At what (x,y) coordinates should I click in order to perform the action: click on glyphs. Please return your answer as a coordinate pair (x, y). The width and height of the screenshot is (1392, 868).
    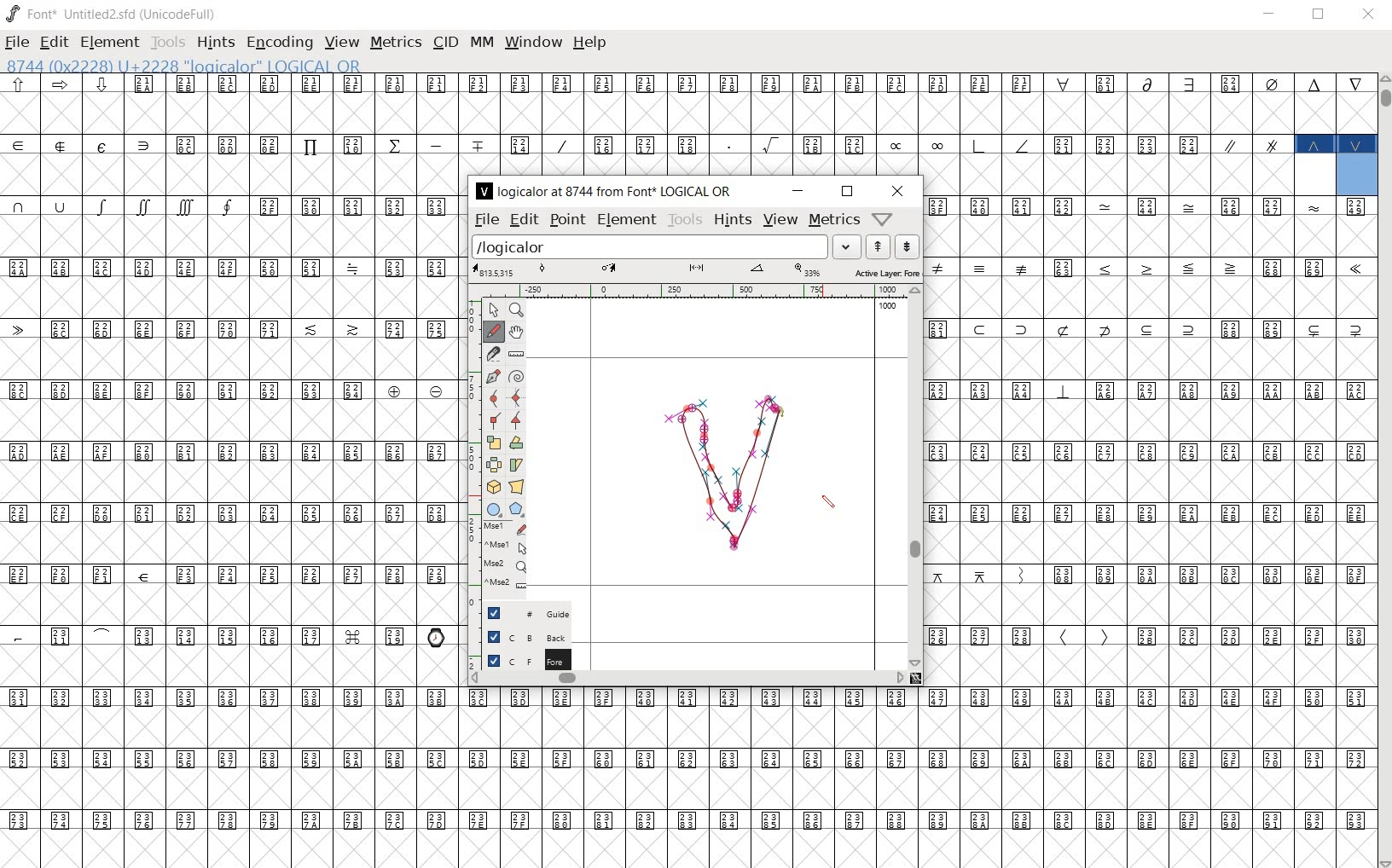
    Looking at the image, I should click on (229, 467).